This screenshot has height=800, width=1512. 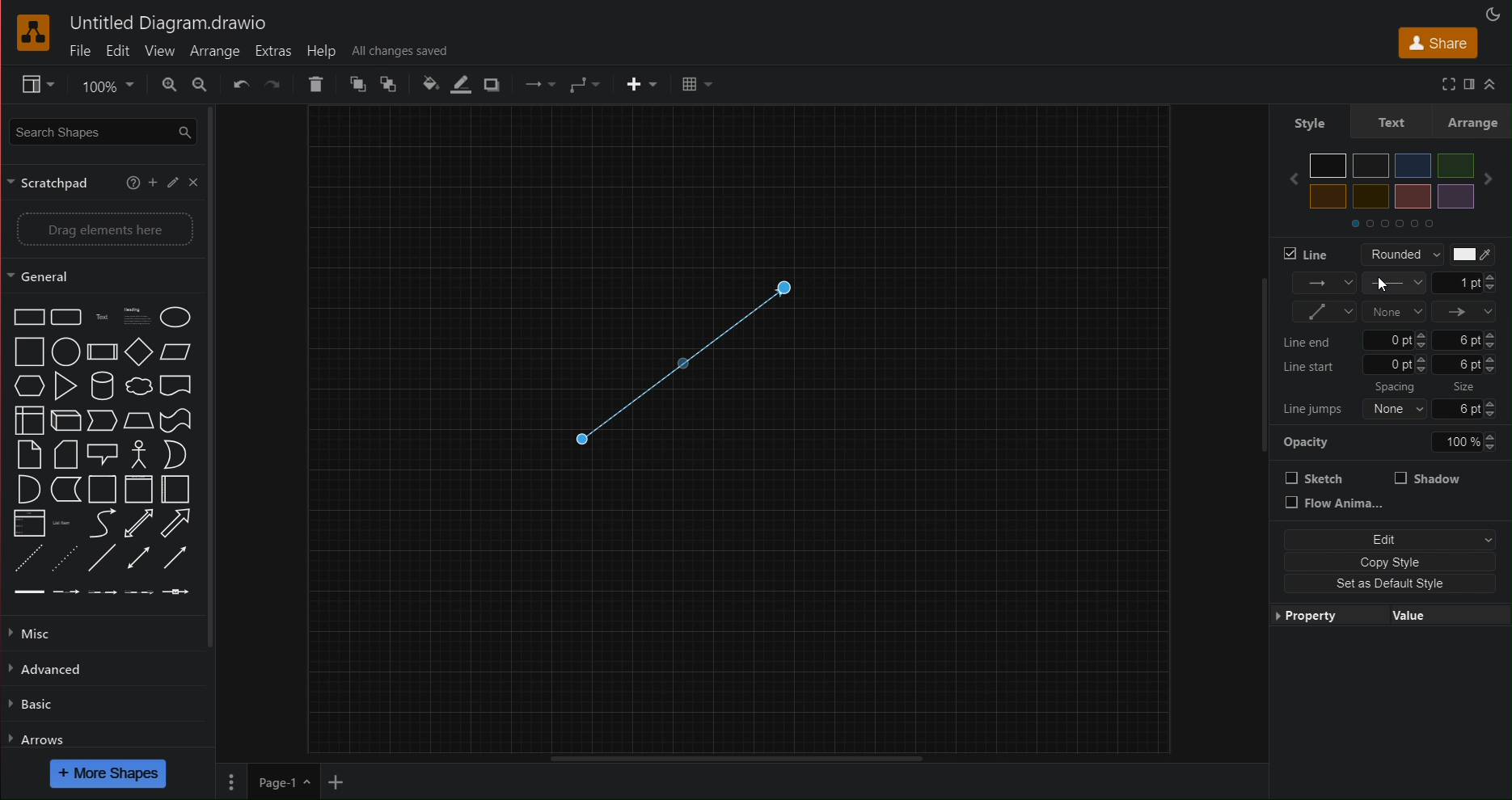 I want to click on Close, so click(x=193, y=182).